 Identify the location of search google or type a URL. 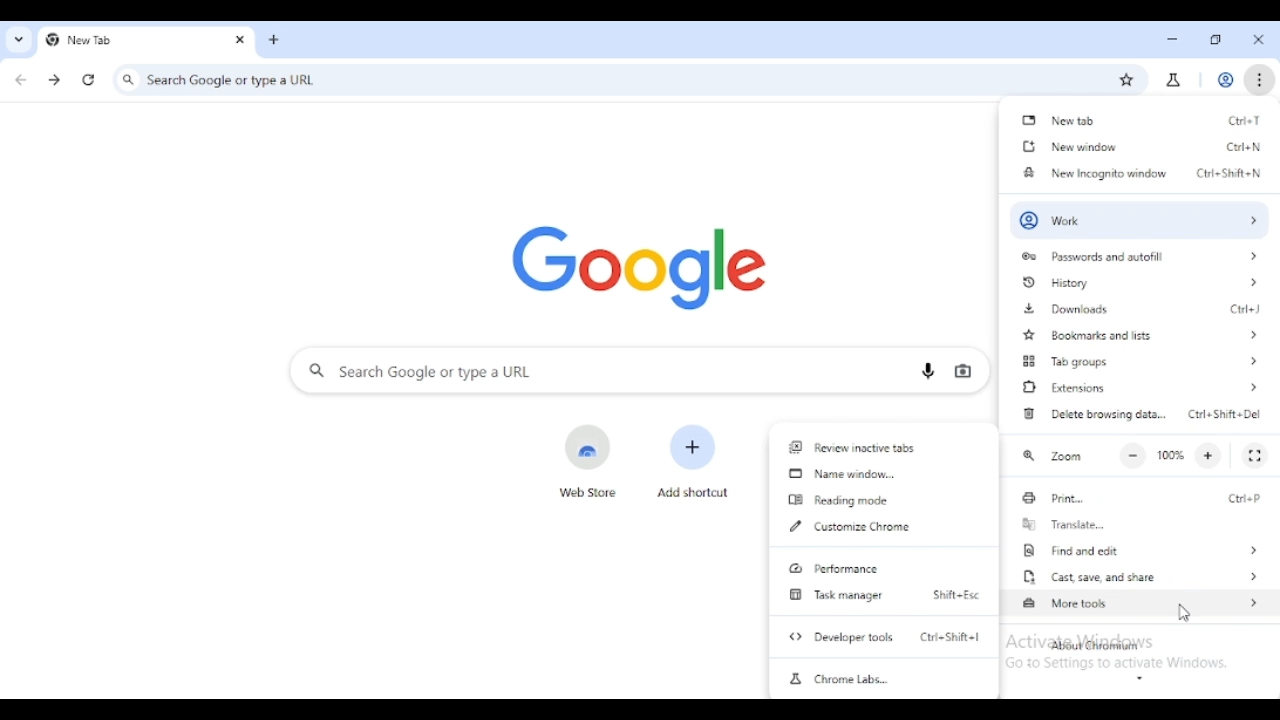
(587, 371).